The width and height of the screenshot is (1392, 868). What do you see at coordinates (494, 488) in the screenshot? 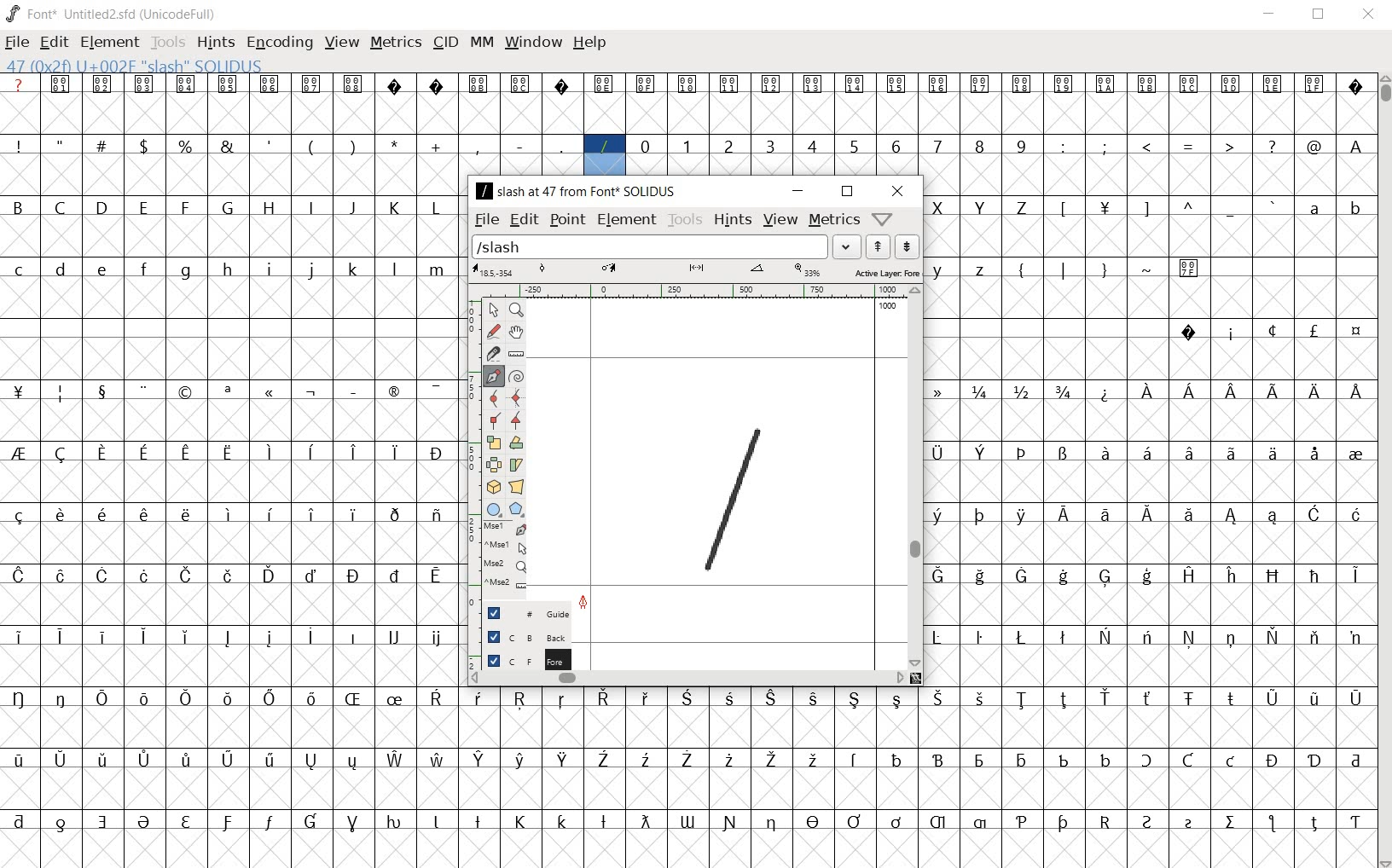
I see `rotate the selection in 3D and project back to plane` at bounding box center [494, 488].